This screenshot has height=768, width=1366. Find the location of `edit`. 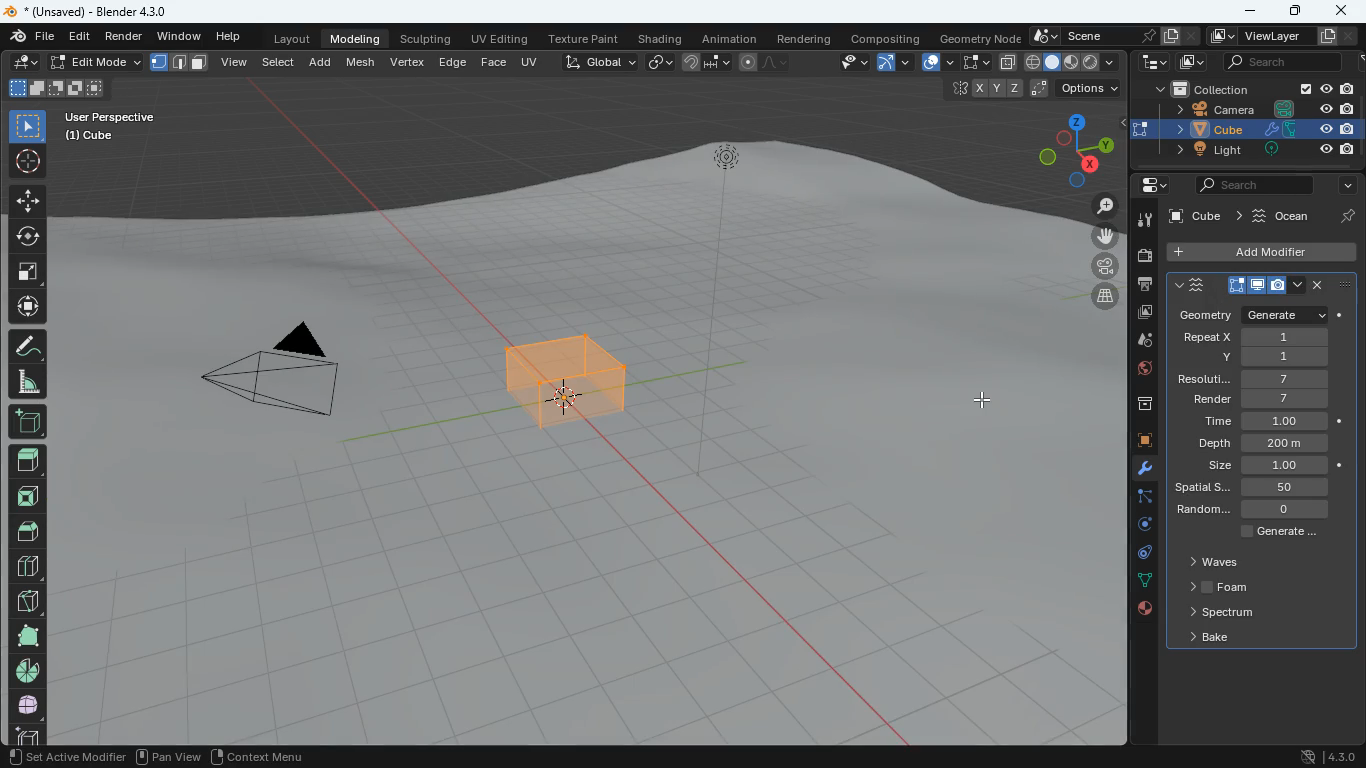

edit is located at coordinates (844, 64).